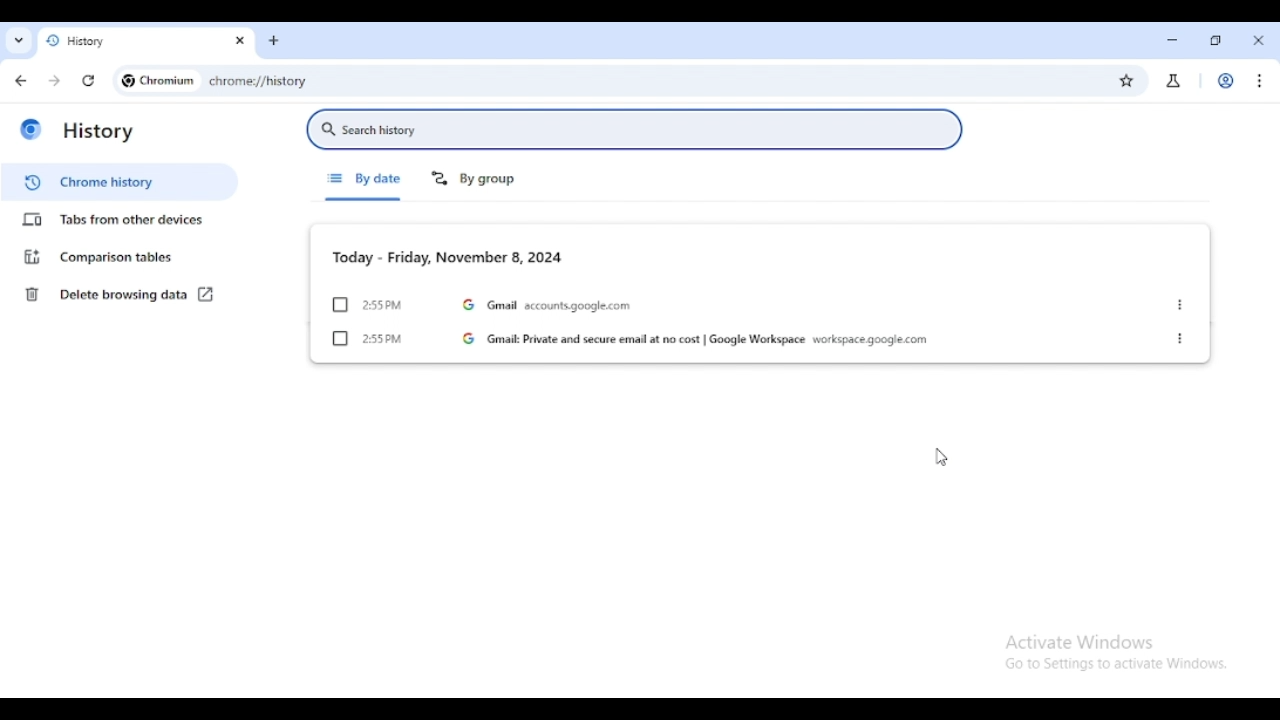 Image resolution: width=1280 pixels, height=720 pixels. I want to click on close tab, so click(240, 42).